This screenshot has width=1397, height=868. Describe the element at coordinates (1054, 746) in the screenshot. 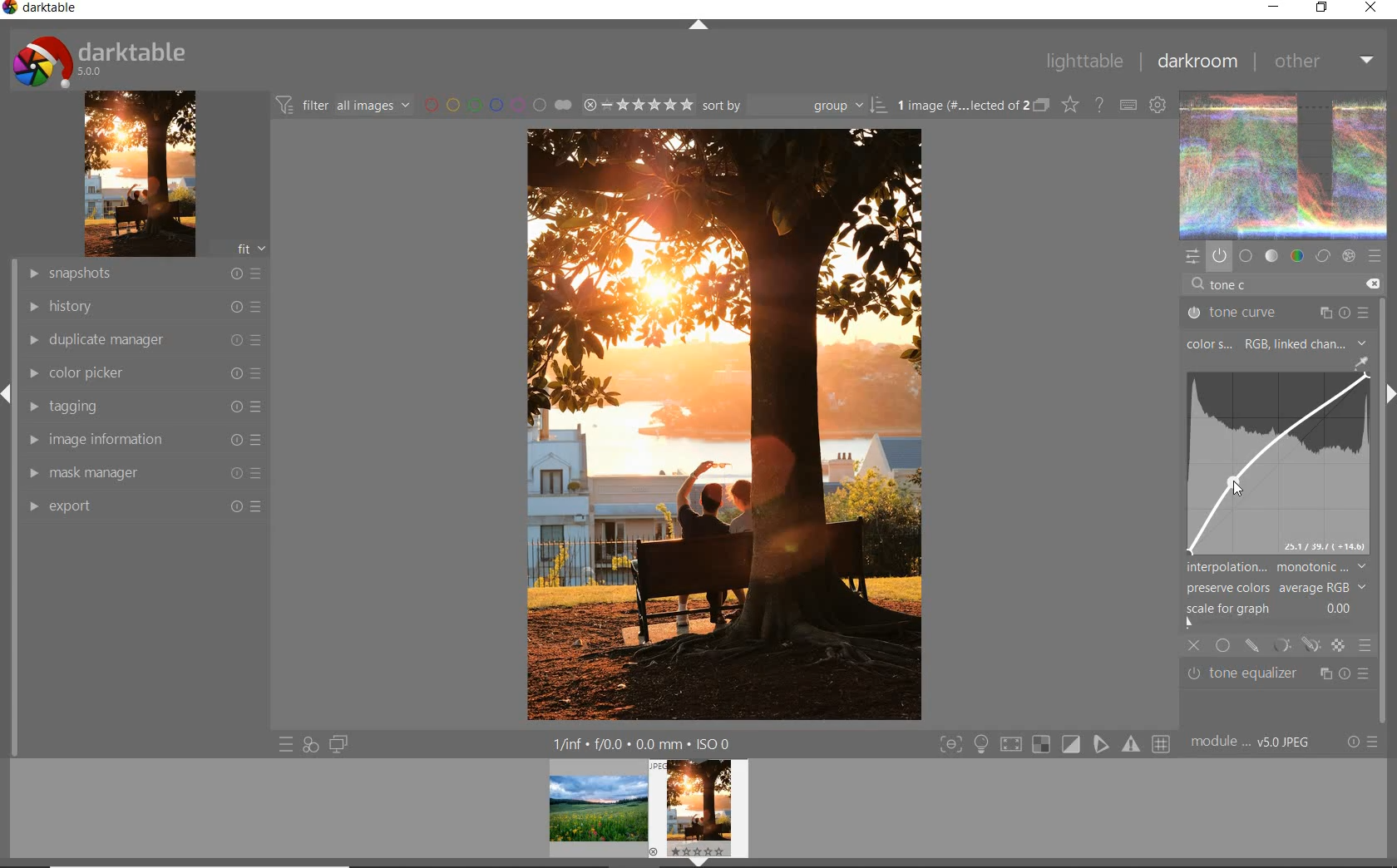

I see `toggle modes` at that location.